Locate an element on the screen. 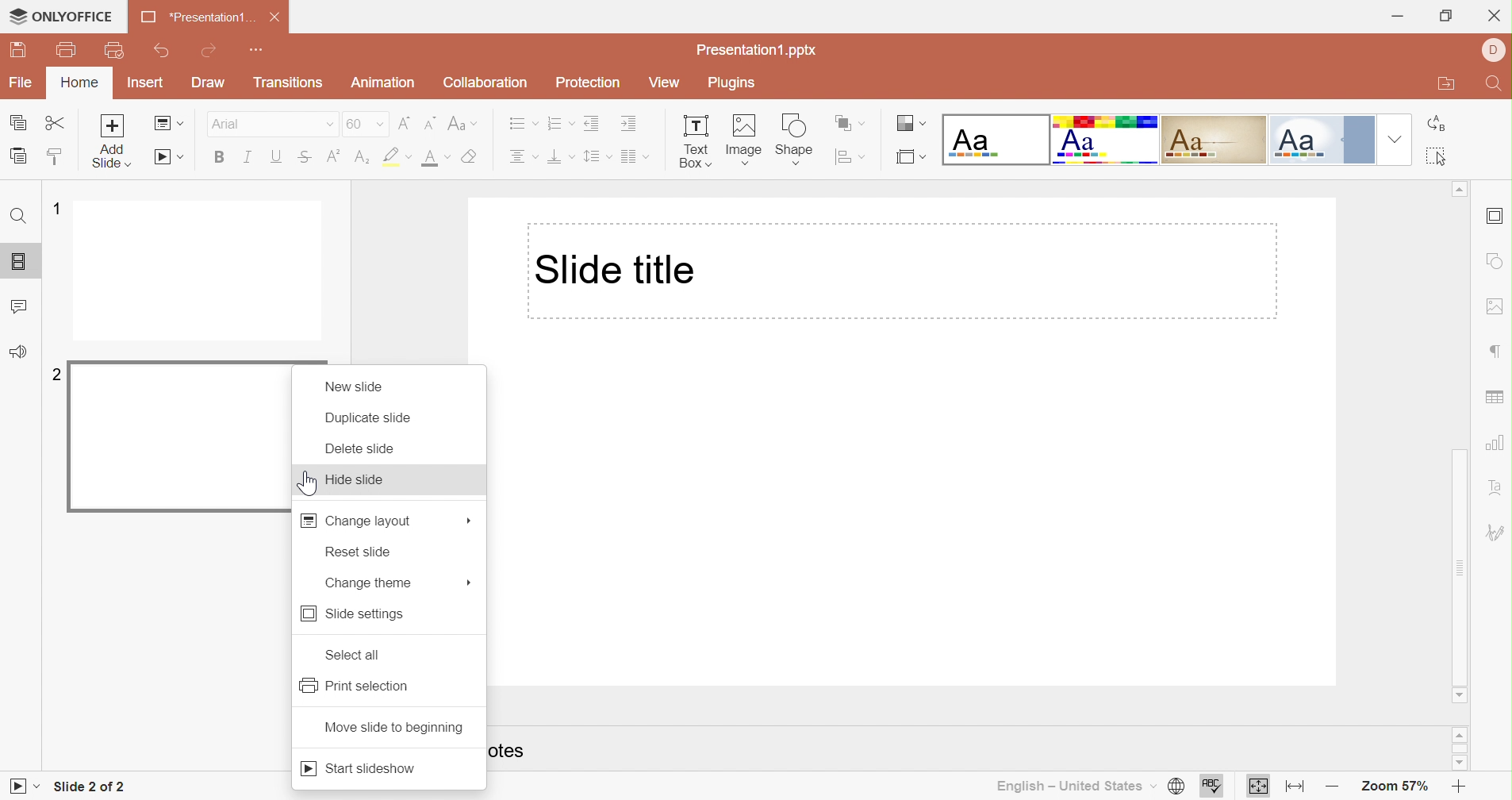 The height and width of the screenshot is (800, 1512). Collaboration is located at coordinates (485, 83).